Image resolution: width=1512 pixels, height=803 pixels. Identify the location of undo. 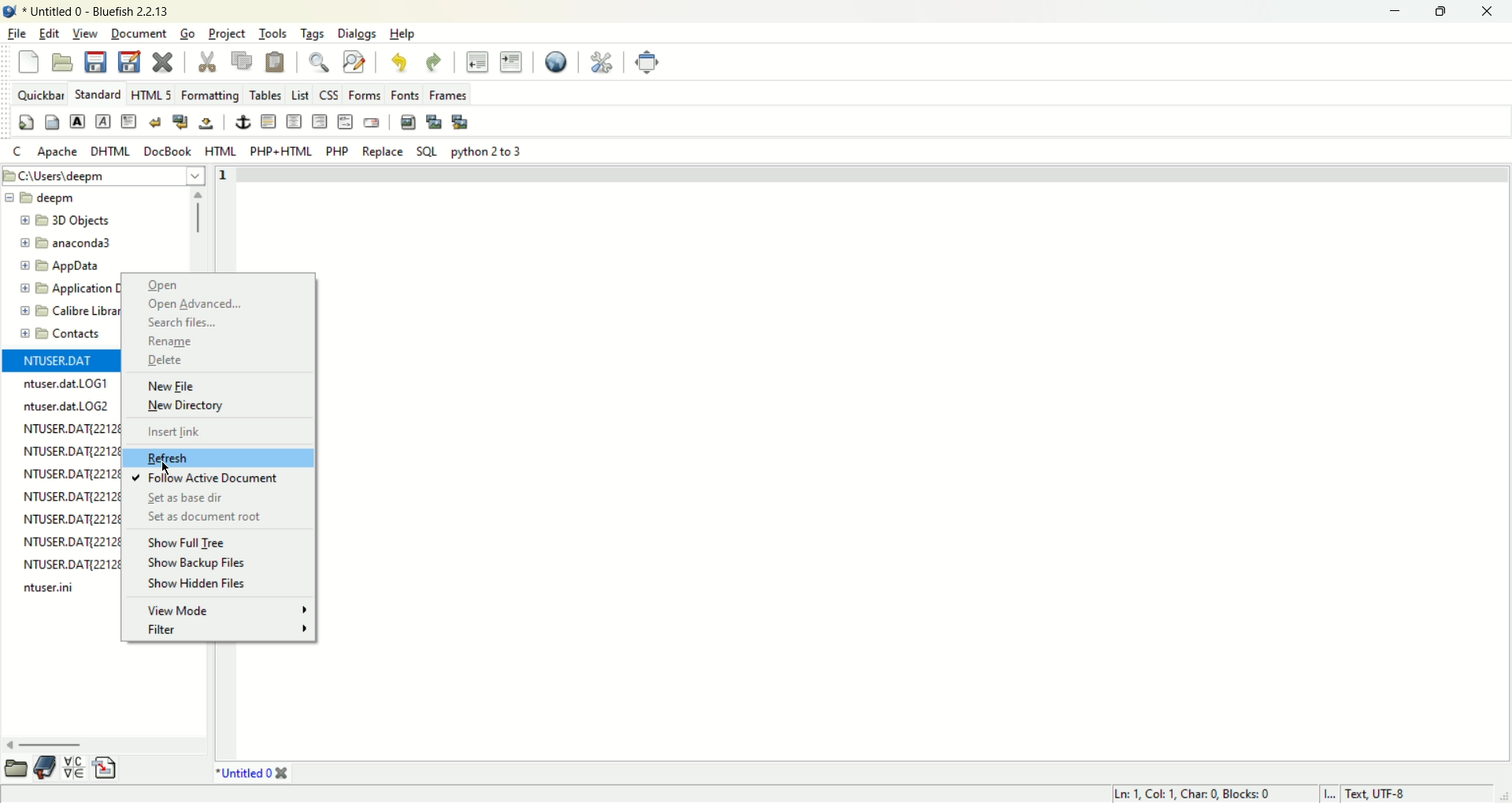
(400, 63).